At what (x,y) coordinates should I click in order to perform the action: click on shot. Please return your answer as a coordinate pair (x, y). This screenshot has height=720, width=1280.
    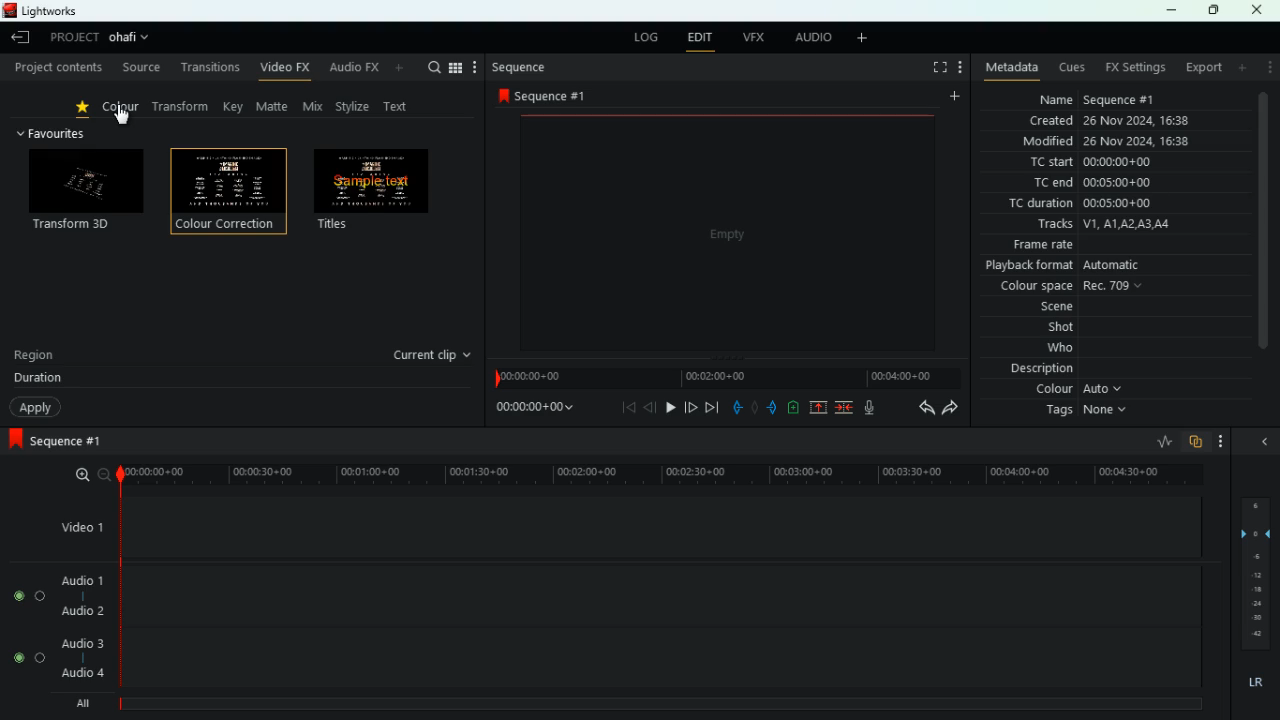
    Looking at the image, I should click on (1045, 328).